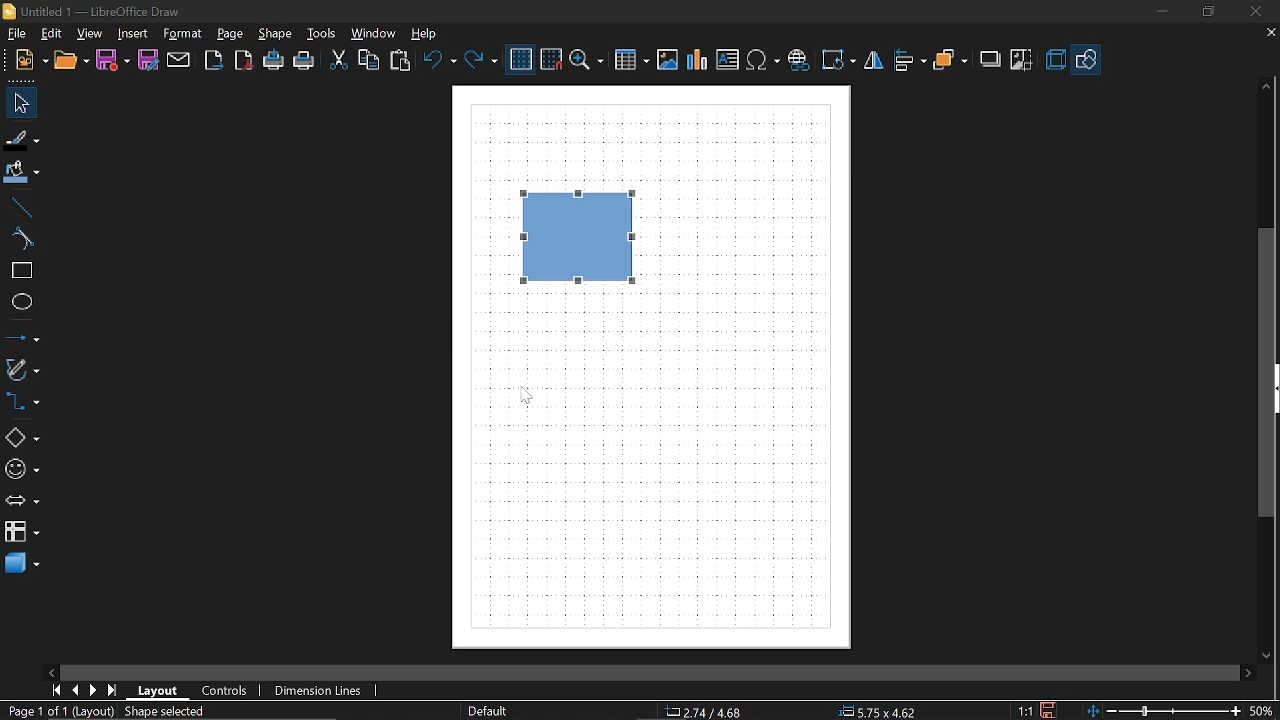 This screenshot has height=720, width=1280. What do you see at coordinates (22, 501) in the screenshot?
I see `arrows` at bounding box center [22, 501].